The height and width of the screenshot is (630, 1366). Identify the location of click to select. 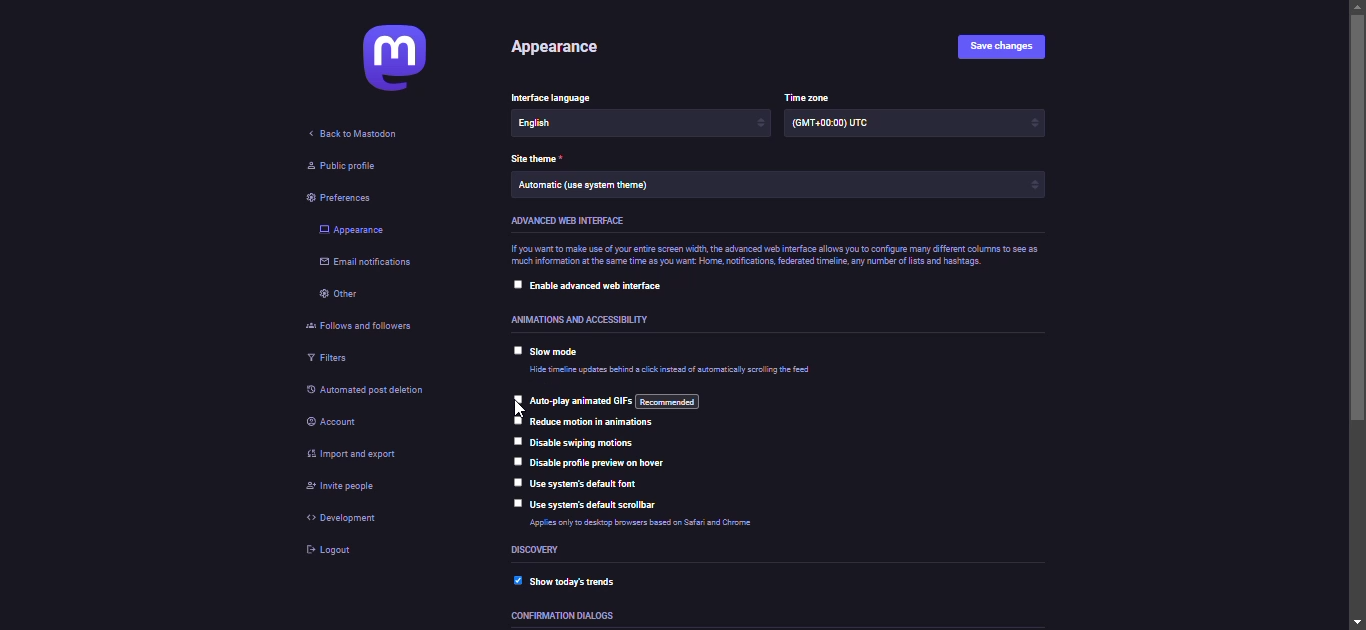
(513, 503).